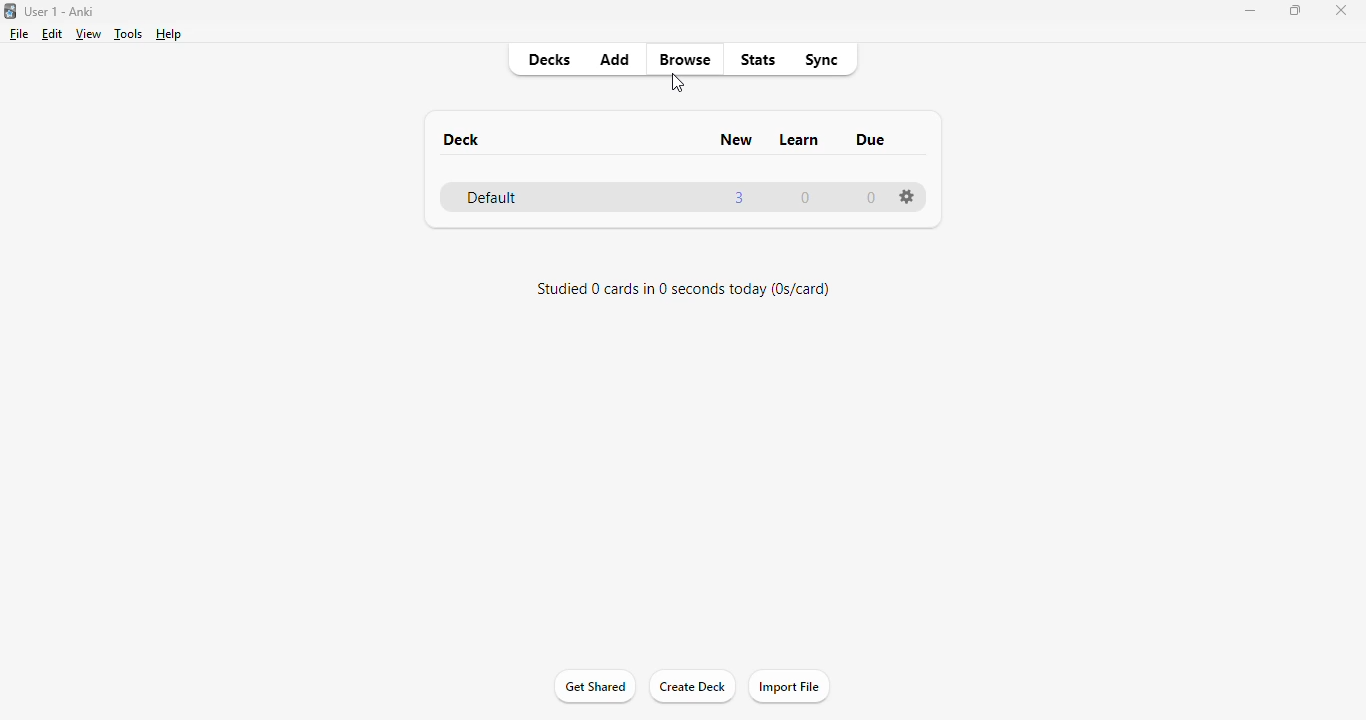 The width and height of the screenshot is (1366, 720). Describe the element at coordinates (684, 60) in the screenshot. I see `browse` at that location.